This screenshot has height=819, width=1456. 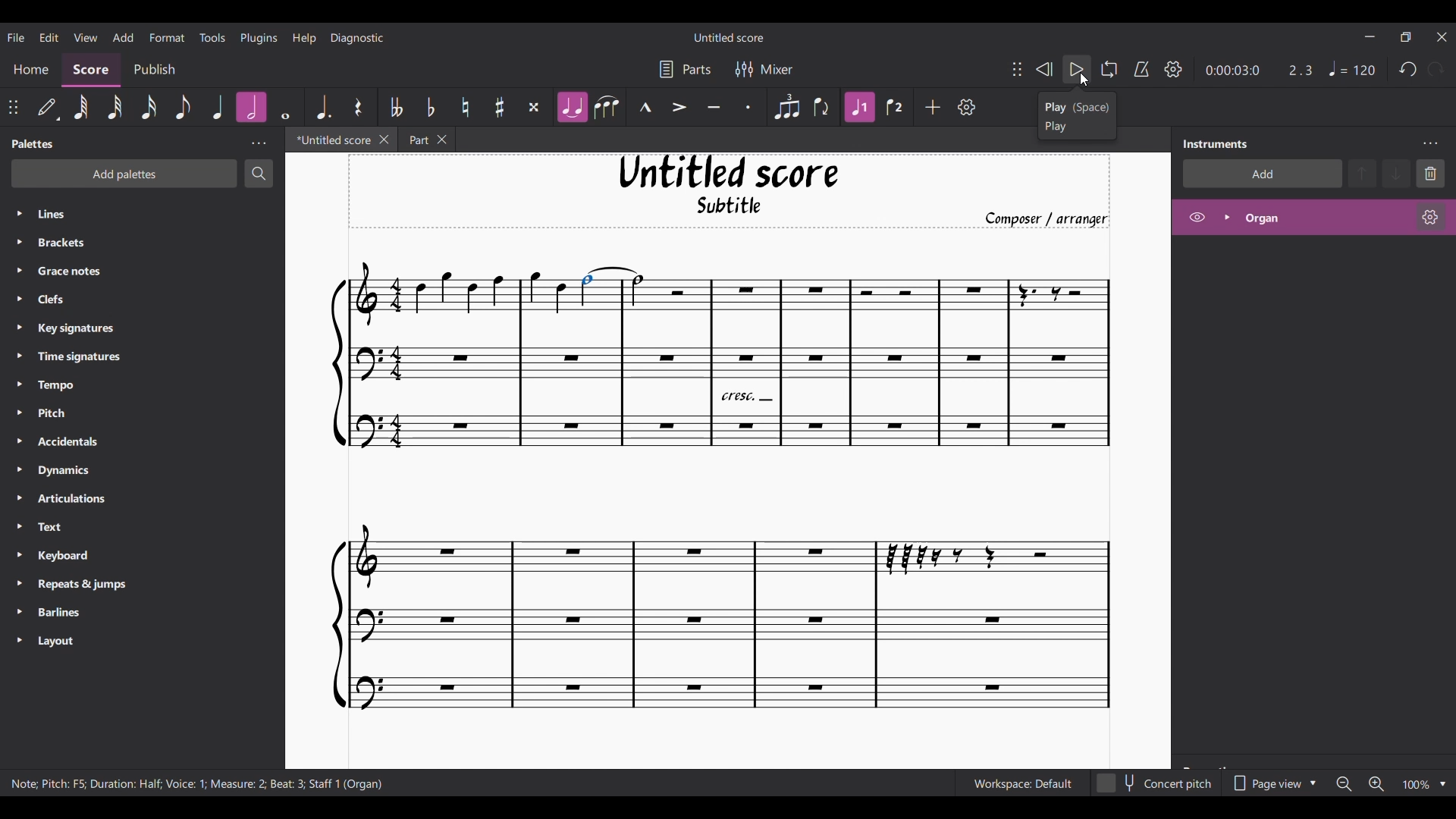 What do you see at coordinates (258, 37) in the screenshot?
I see `Plugins menu` at bounding box center [258, 37].